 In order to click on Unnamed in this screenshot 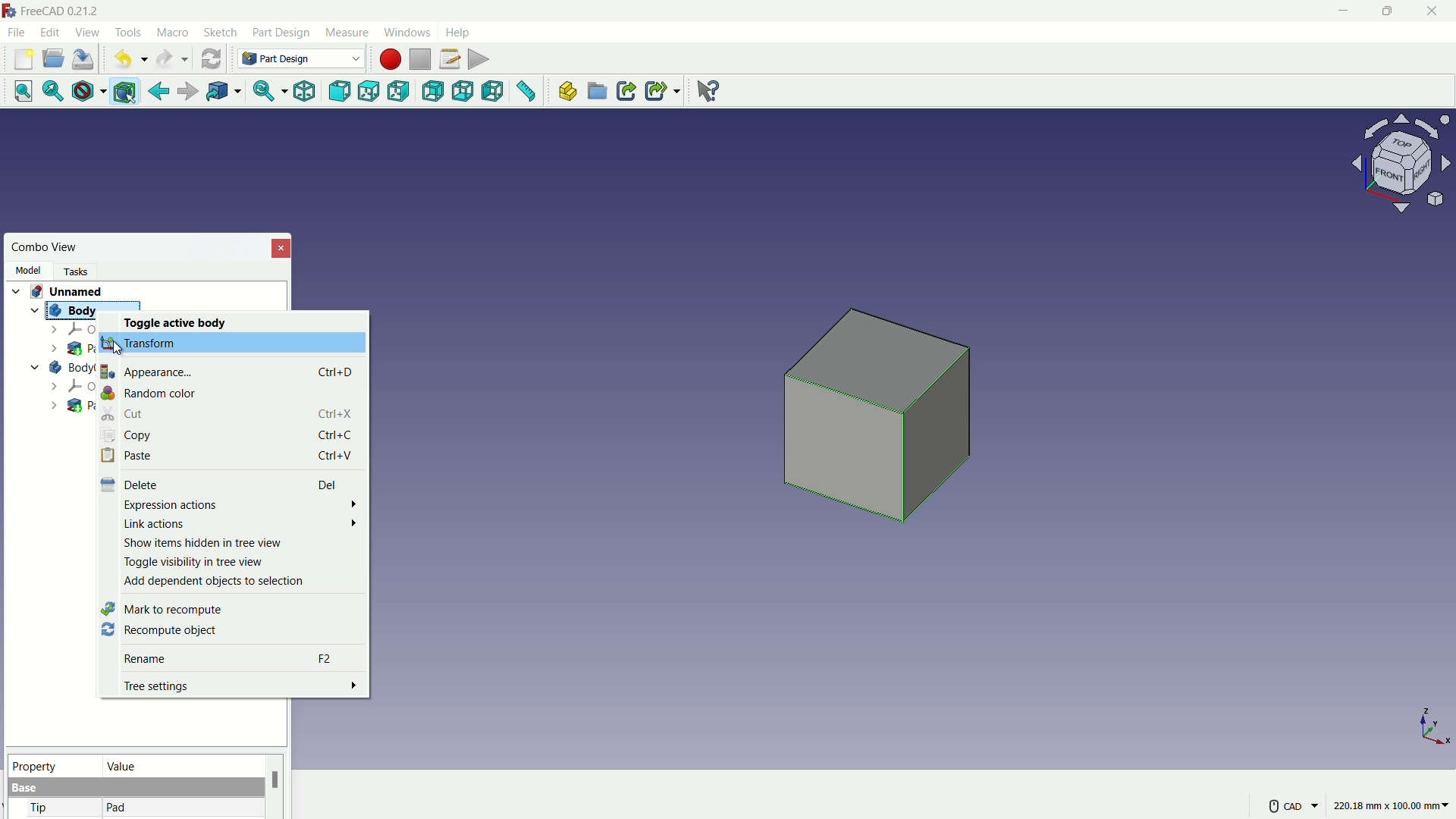, I will do `click(72, 290)`.